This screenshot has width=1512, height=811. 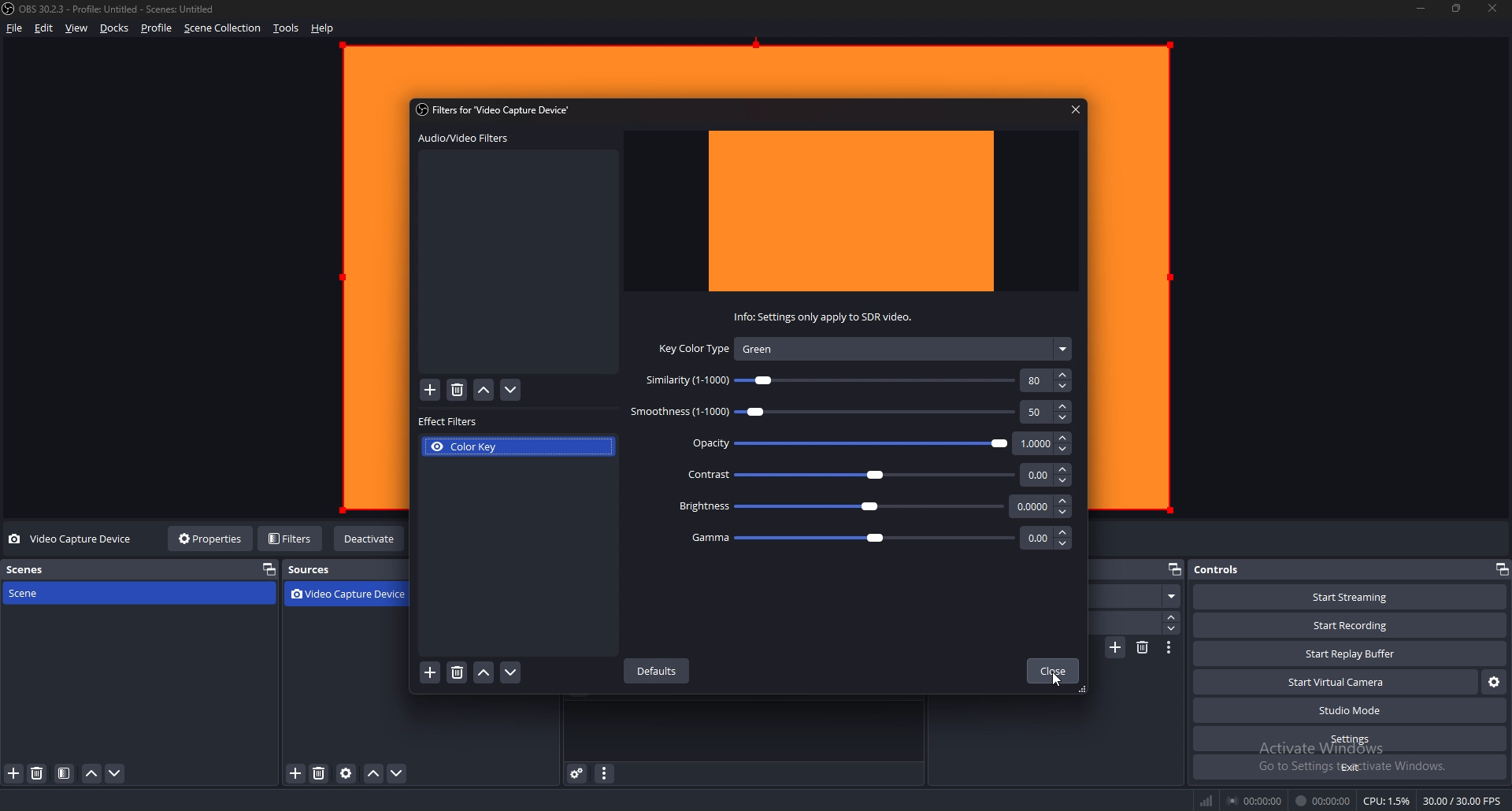 I want to click on OBS 30.2.3 - Profile: Untitled - Scenes: Untitled, so click(x=122, y=10).